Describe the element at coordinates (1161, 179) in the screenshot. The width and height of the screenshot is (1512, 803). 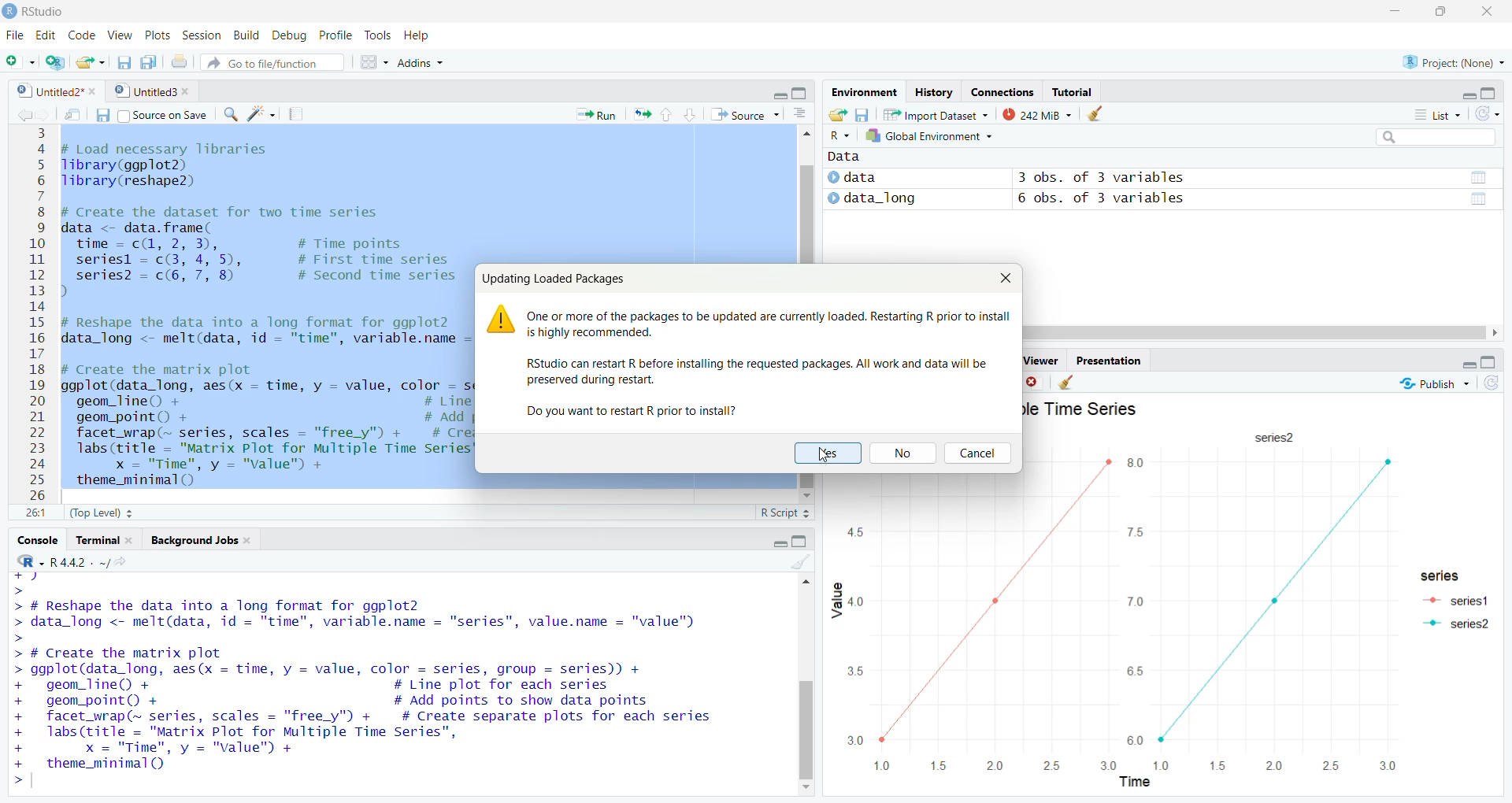
I see `data 3 obs. of 3 variables` at that location.